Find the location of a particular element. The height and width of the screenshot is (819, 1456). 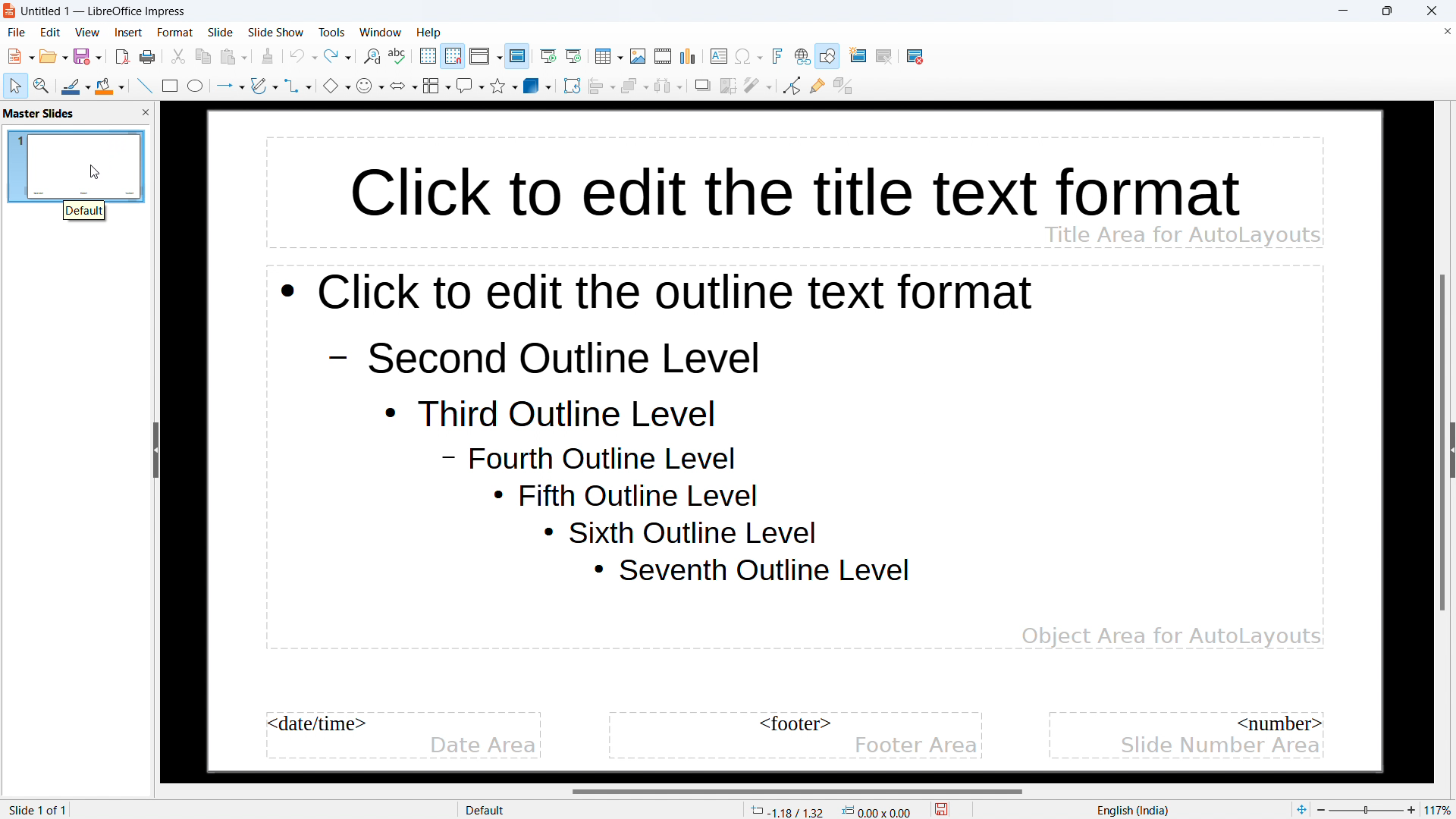

Seventh outline level is located at coordinates (752, 573).